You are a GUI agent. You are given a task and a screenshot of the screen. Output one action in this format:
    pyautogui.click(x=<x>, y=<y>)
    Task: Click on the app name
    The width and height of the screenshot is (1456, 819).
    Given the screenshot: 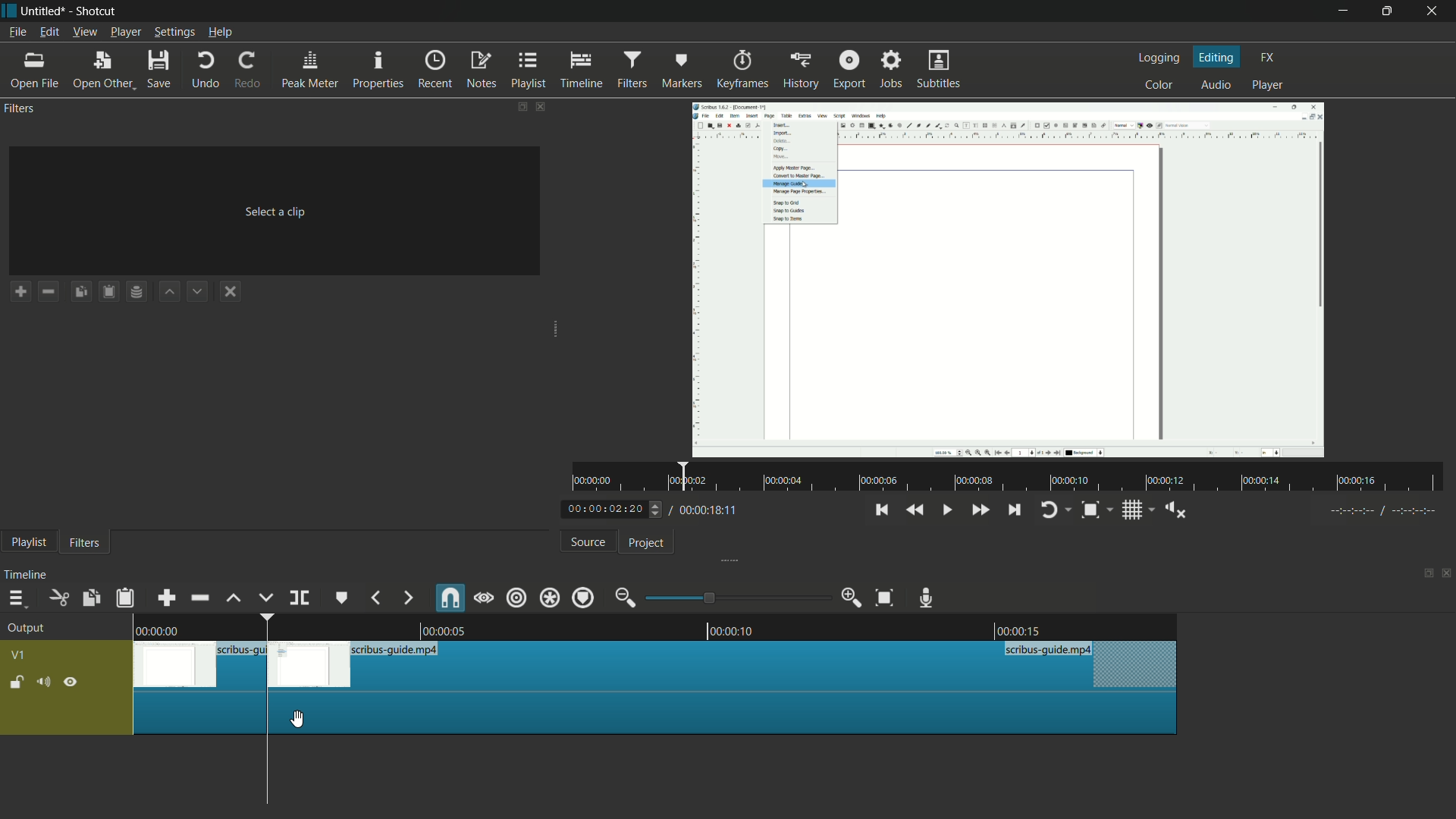 What is the action you would take?
    pyautogui.click(x=96, y=11)
    